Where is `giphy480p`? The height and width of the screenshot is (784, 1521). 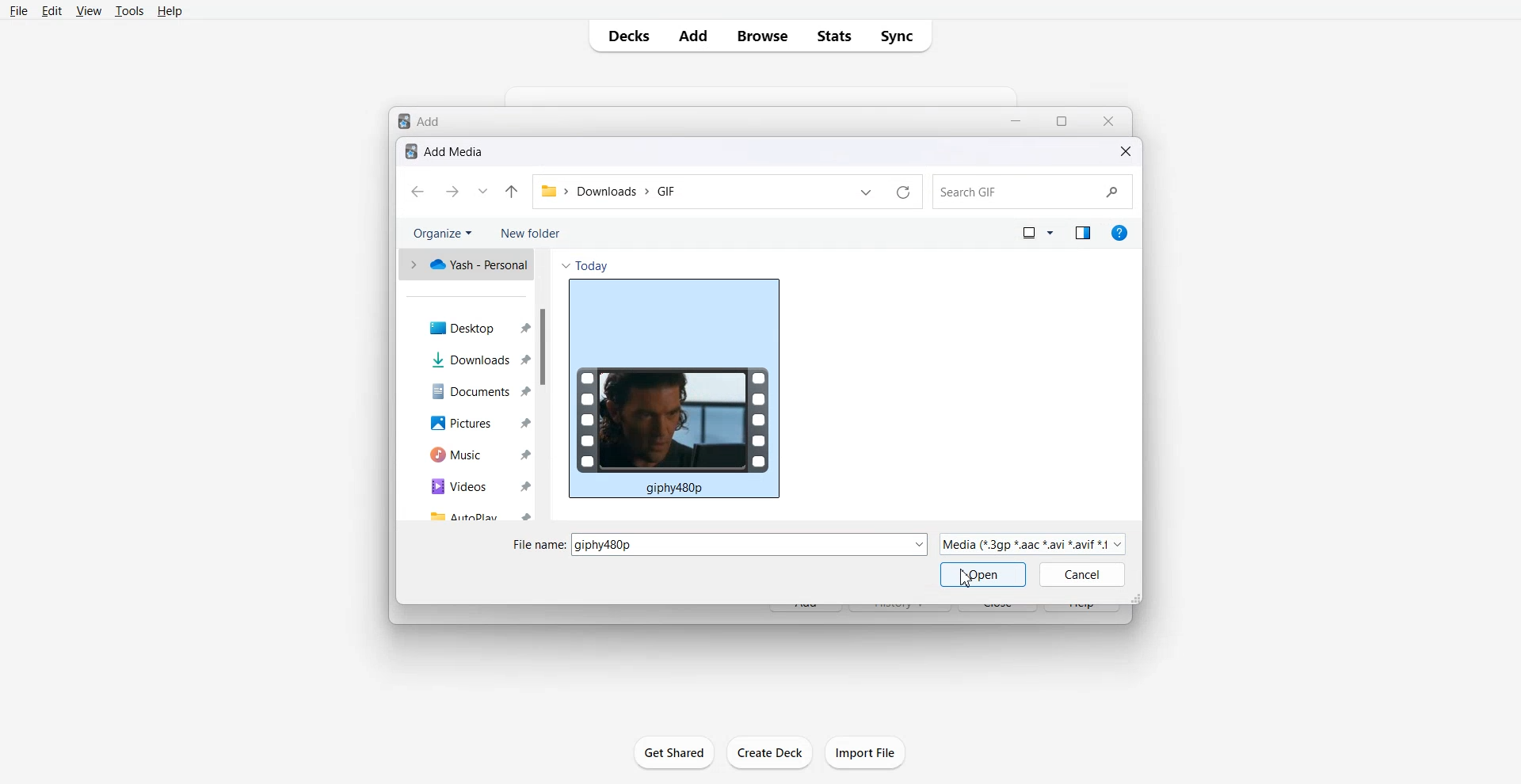 giphy480p is located at coordinates (752, 543).